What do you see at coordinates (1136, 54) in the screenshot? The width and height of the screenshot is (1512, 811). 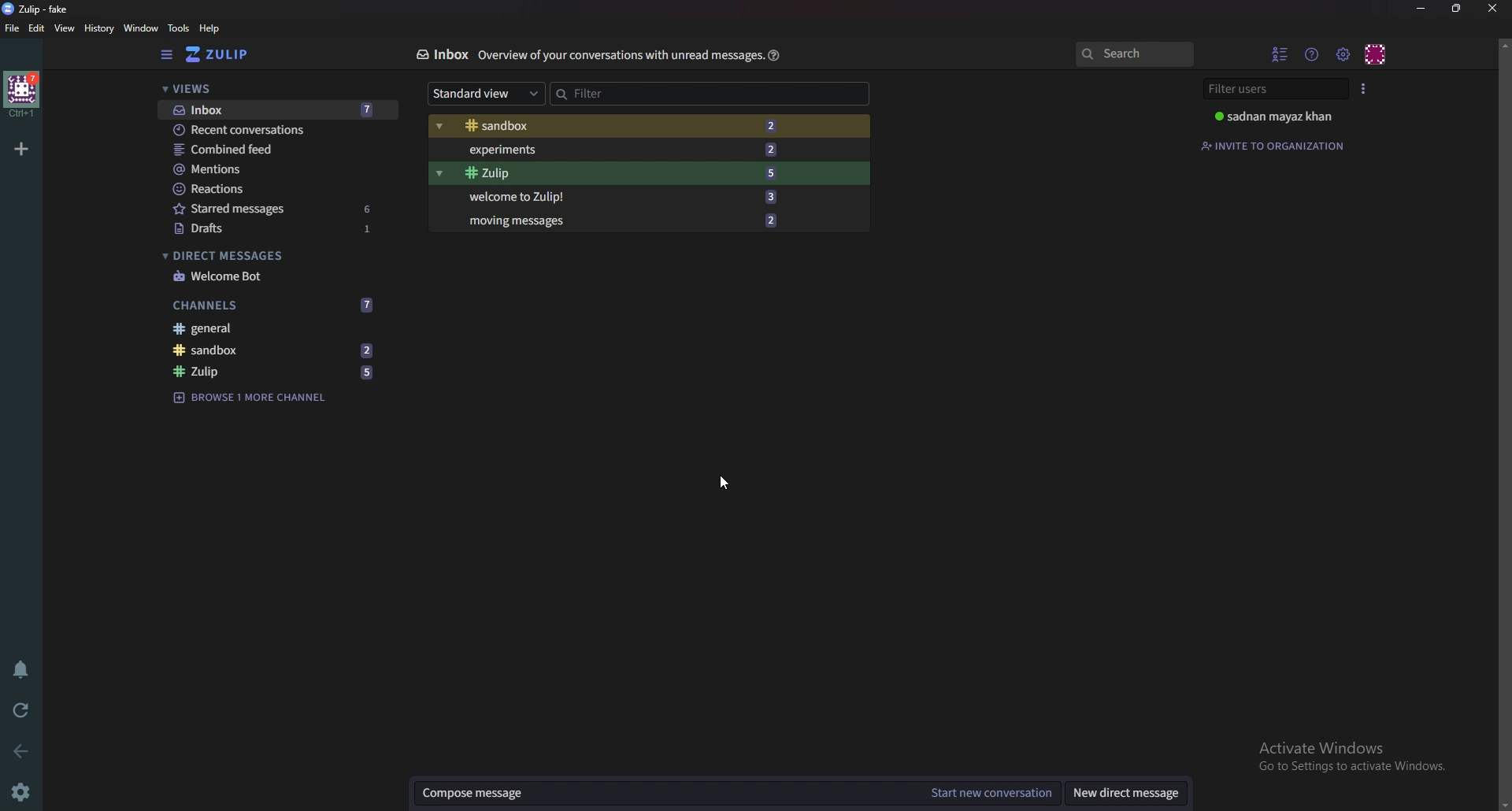 I see `search` at bounding box center [1136, 54].